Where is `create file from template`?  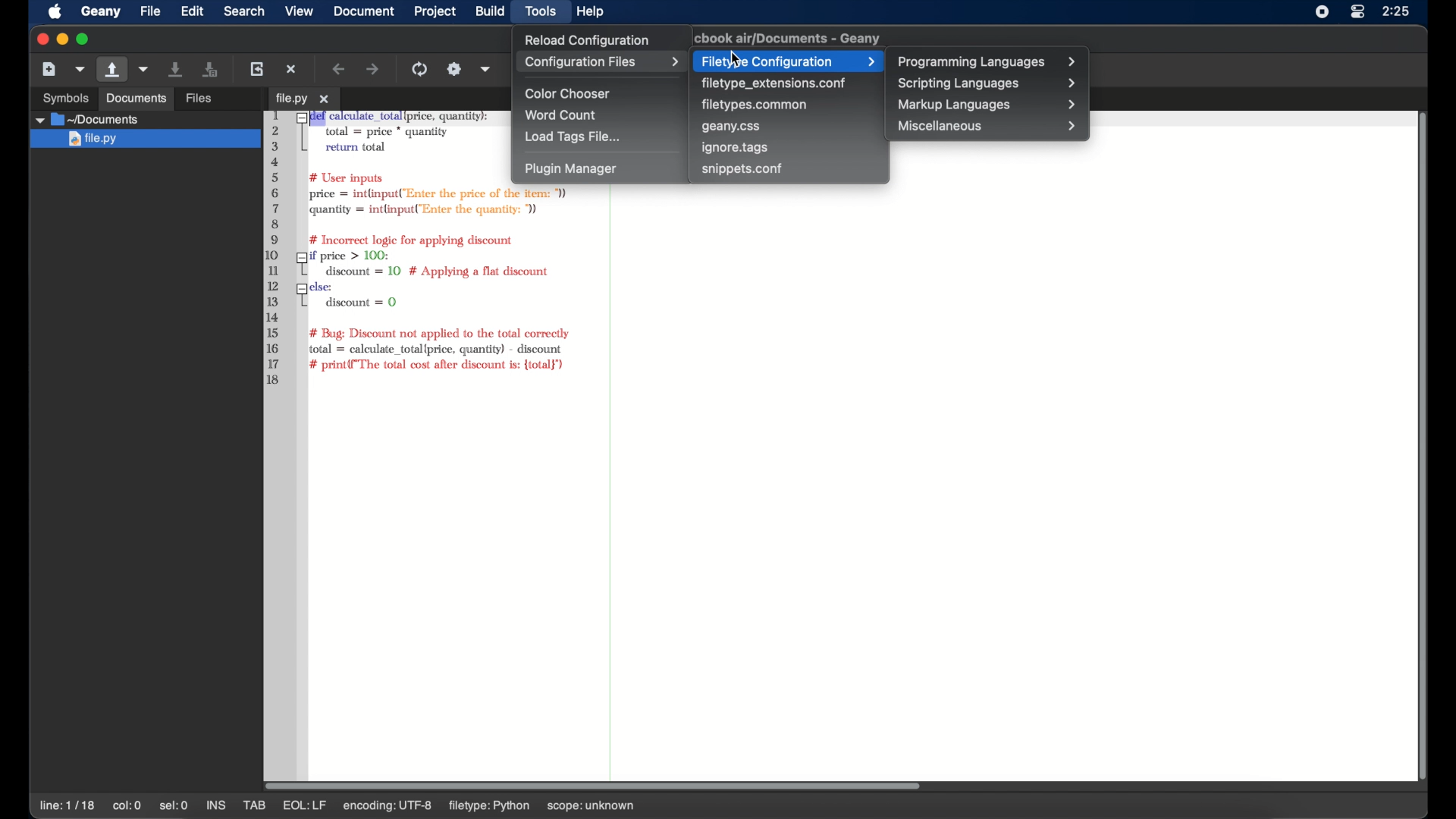
create file from template is located at coordinates (81, 69).